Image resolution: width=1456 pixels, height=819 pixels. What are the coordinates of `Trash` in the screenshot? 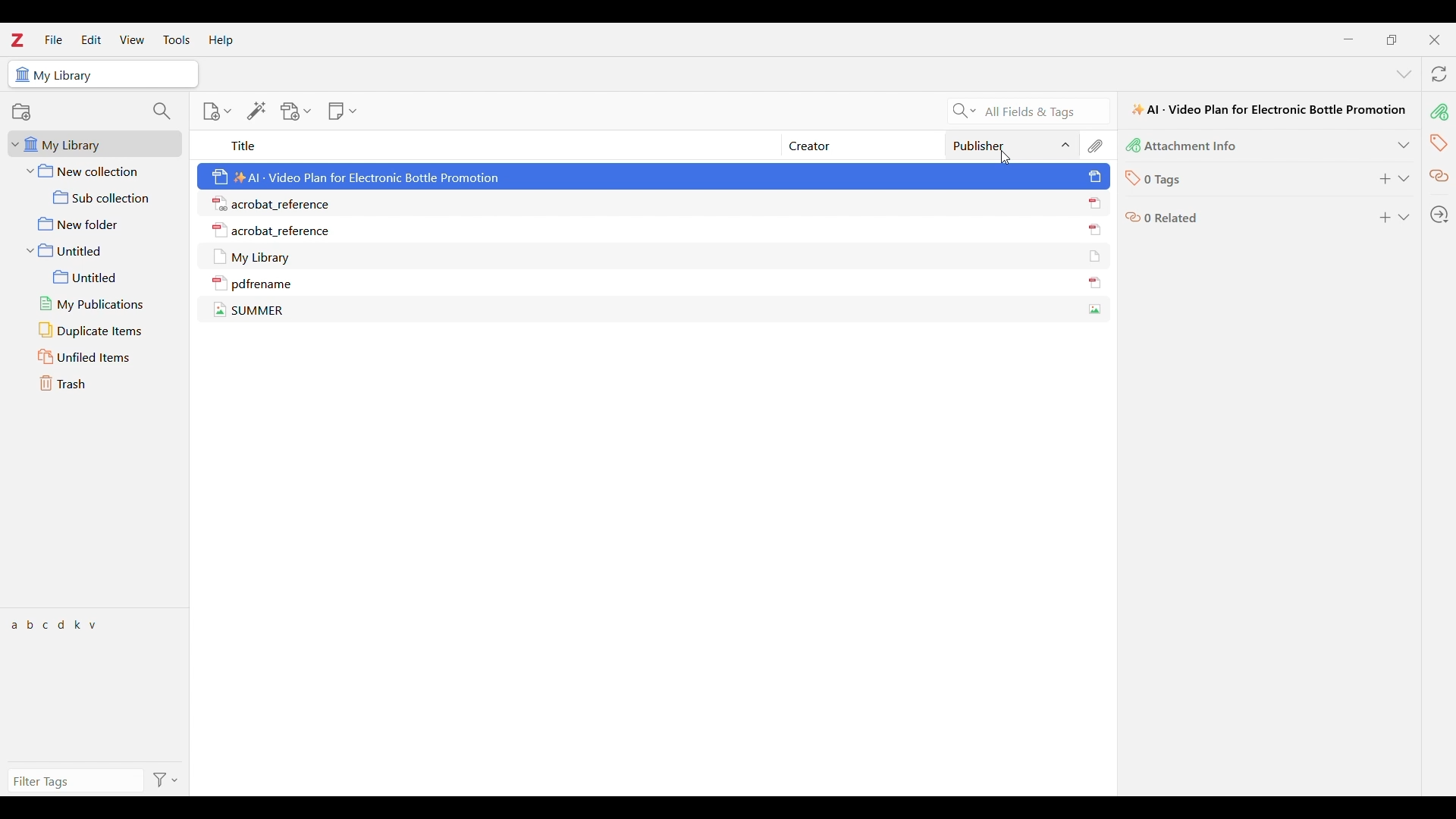 It's located at (96, 384).